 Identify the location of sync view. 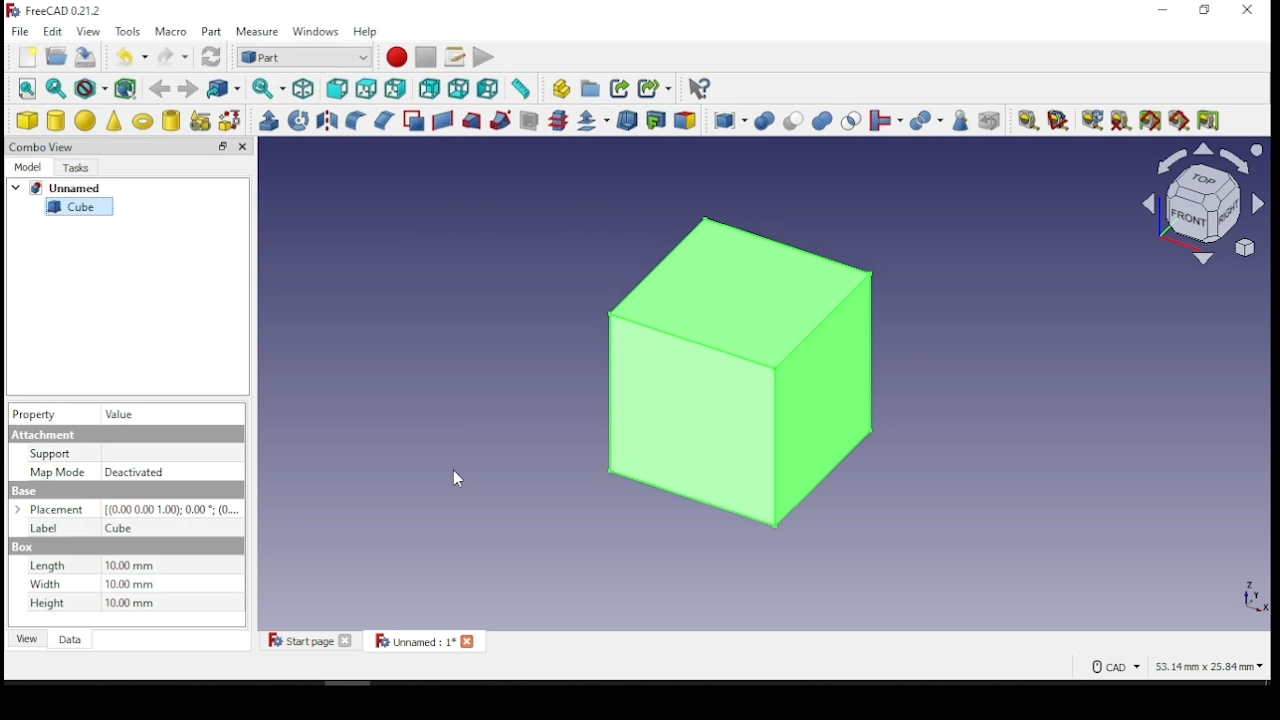
(269, 89).